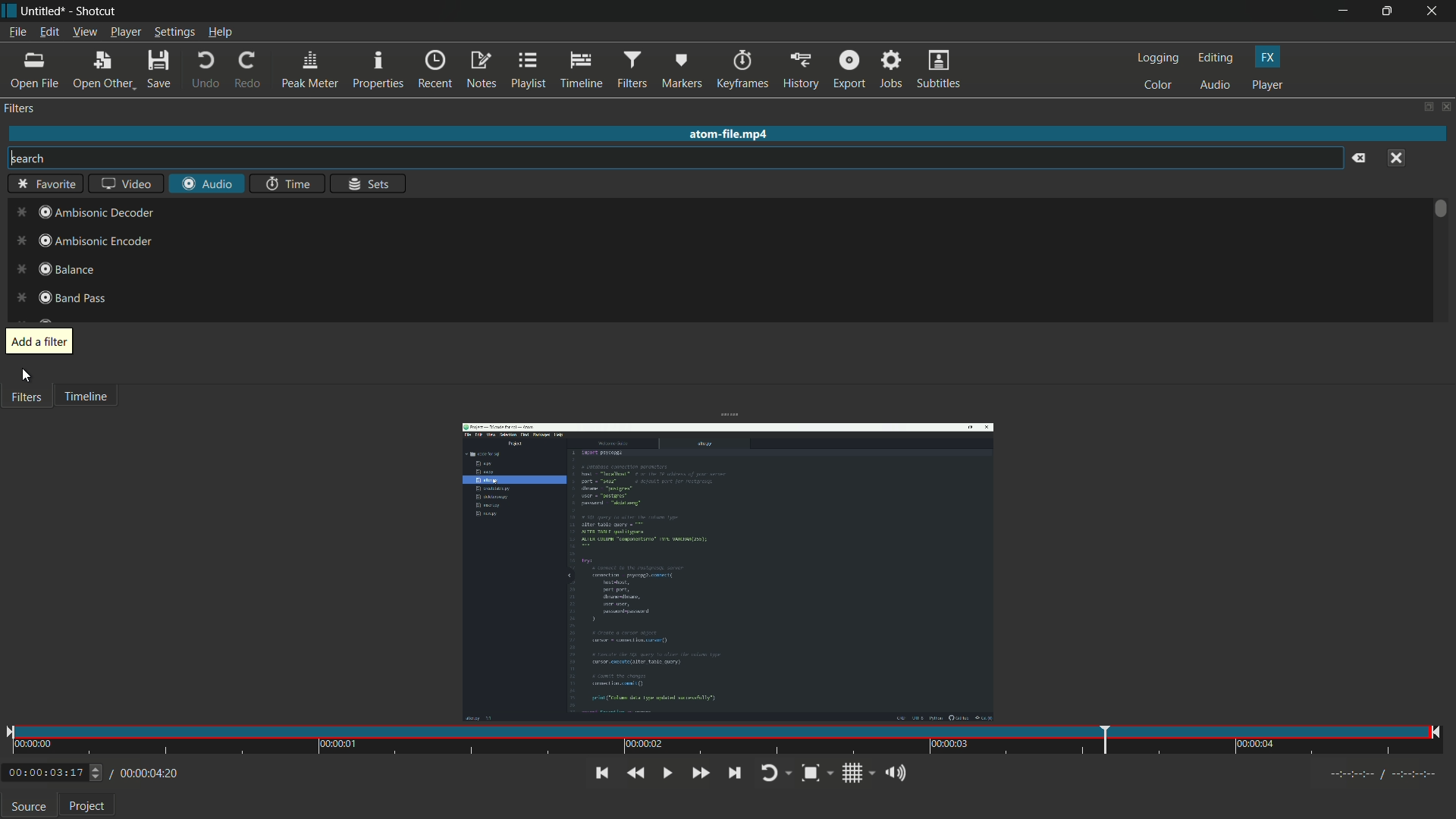  What do you see at coordinates (849, 68) in the screenshot?
I see `export` at bounding box center [849, 68].